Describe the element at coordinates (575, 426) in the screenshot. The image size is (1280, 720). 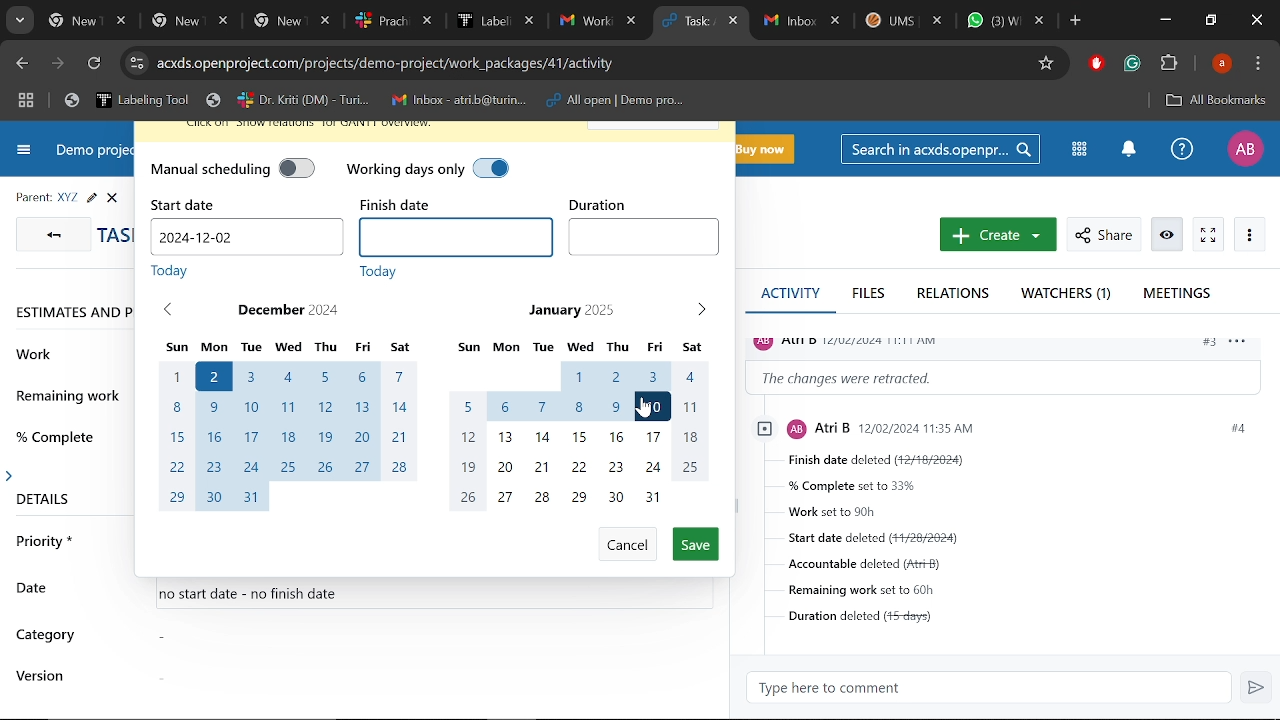
I see `Month of Januar` at that location.